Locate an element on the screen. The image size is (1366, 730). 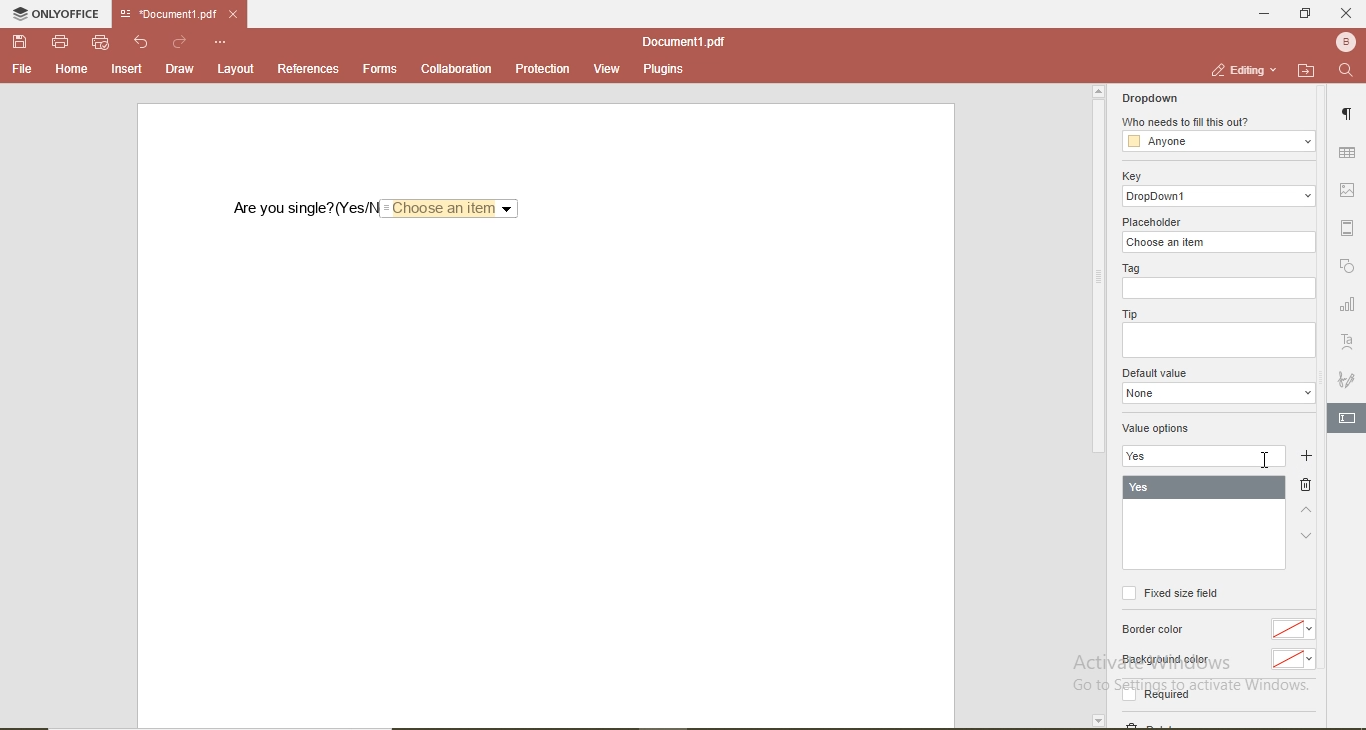
delete is located at coordinates (1305, 484).